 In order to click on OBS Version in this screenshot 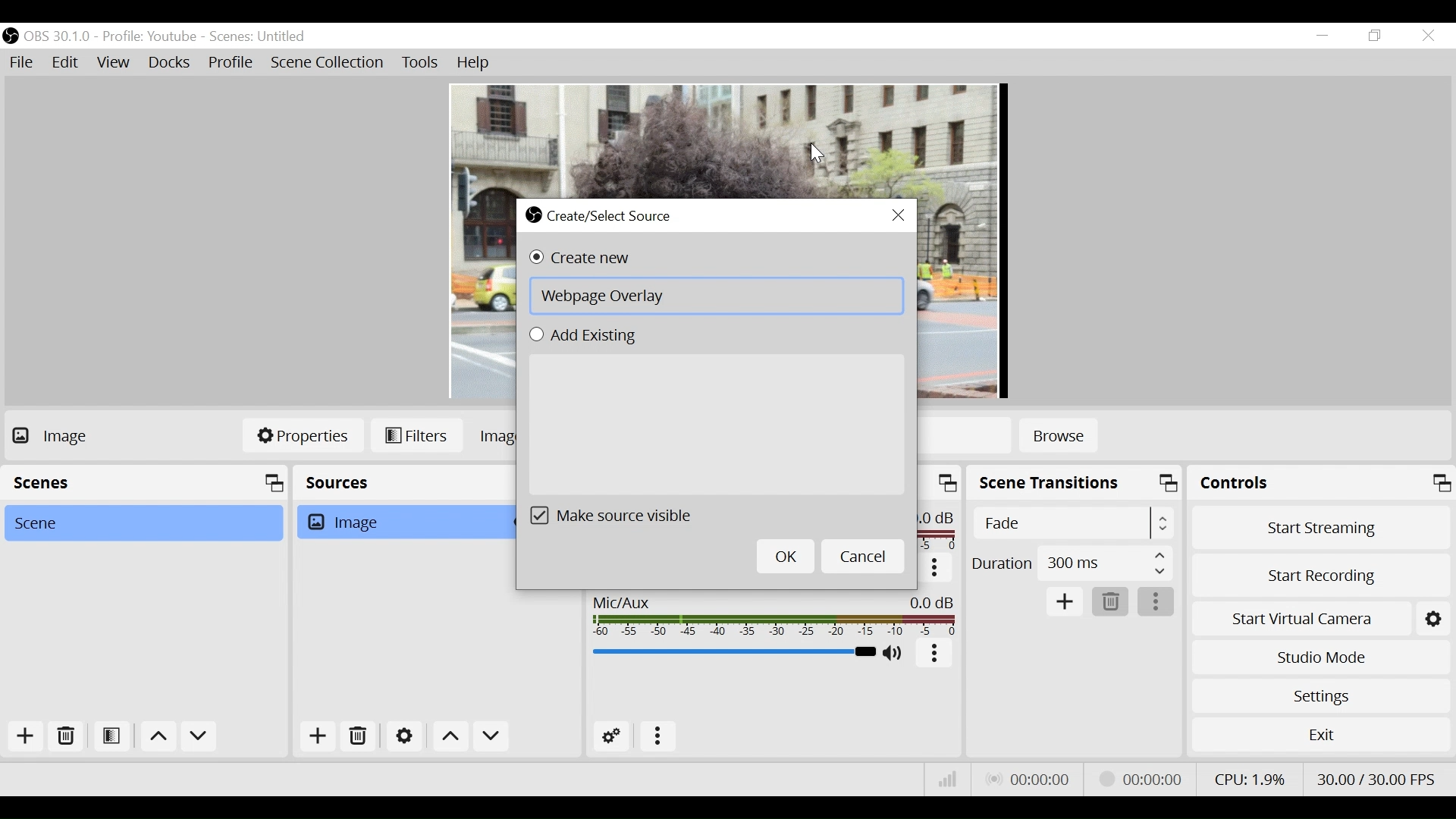, I will do `click(57, 37)`.